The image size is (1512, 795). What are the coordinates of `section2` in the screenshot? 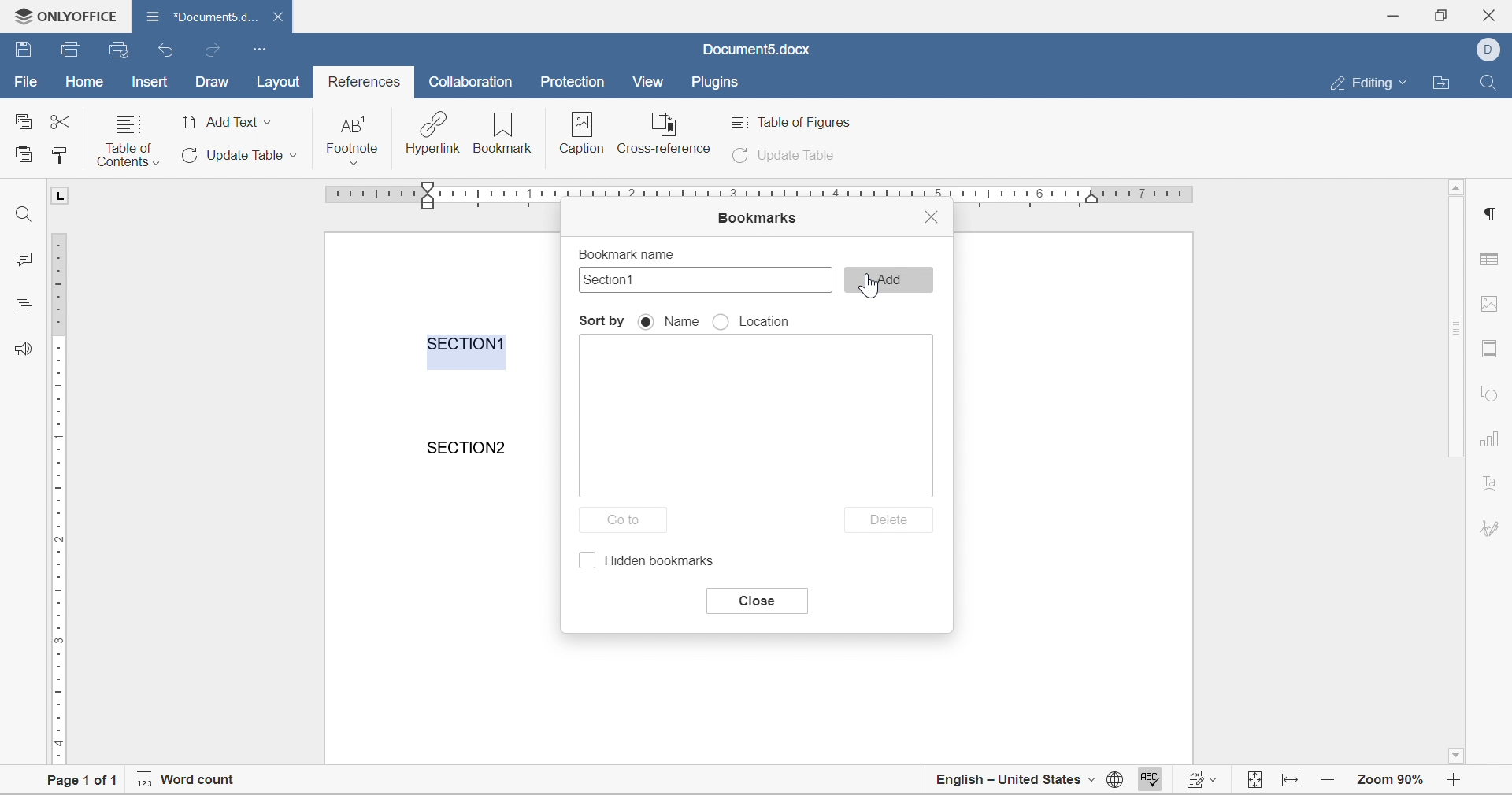 It's located at (470, 447).